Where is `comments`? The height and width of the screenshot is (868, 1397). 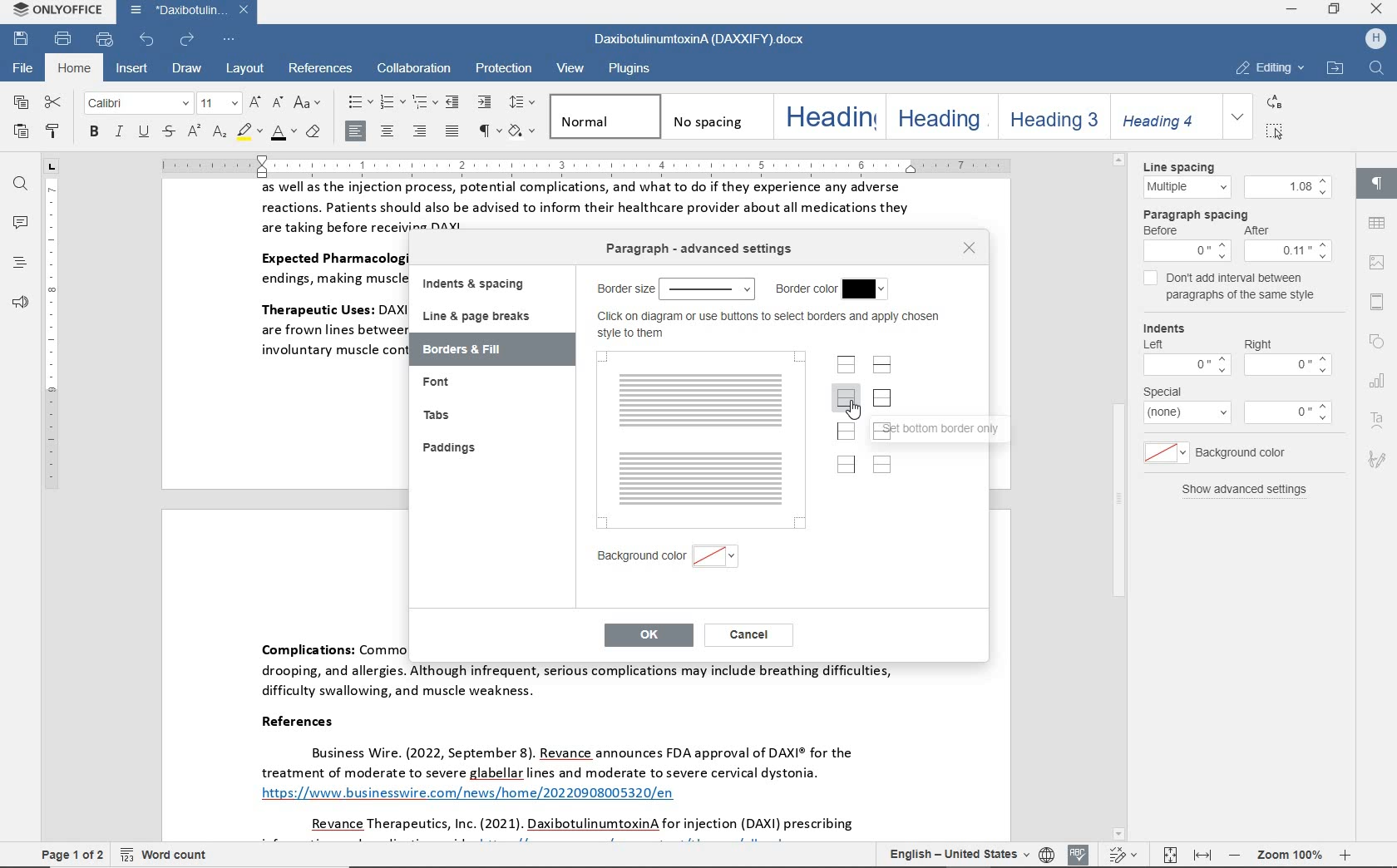
comments is located at coordinates (19, 223).